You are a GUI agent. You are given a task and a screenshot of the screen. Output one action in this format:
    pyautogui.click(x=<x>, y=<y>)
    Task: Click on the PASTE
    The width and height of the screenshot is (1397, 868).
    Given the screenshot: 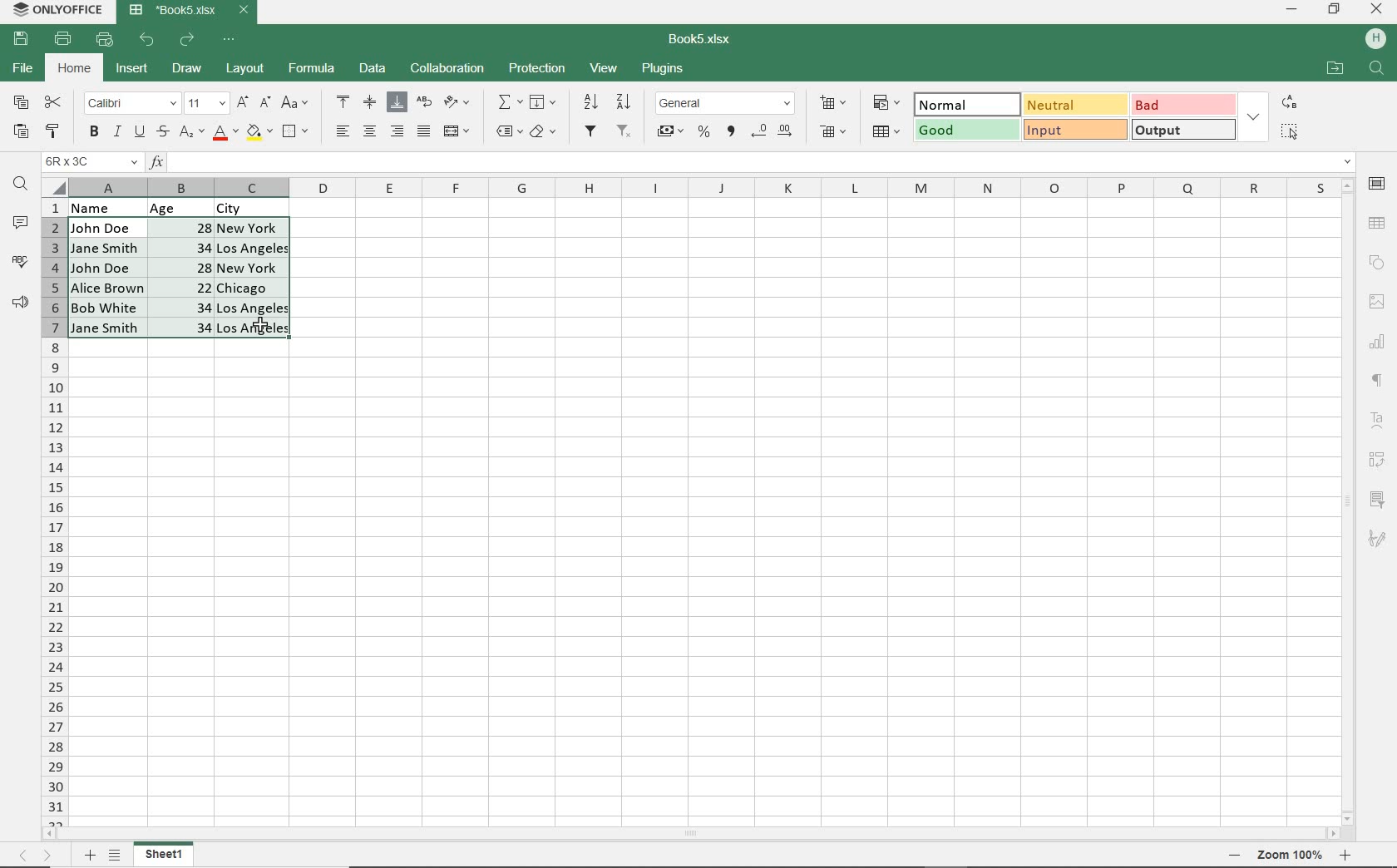 What is the action you would take?
    pyautogui.click(x=21, y=132)
    